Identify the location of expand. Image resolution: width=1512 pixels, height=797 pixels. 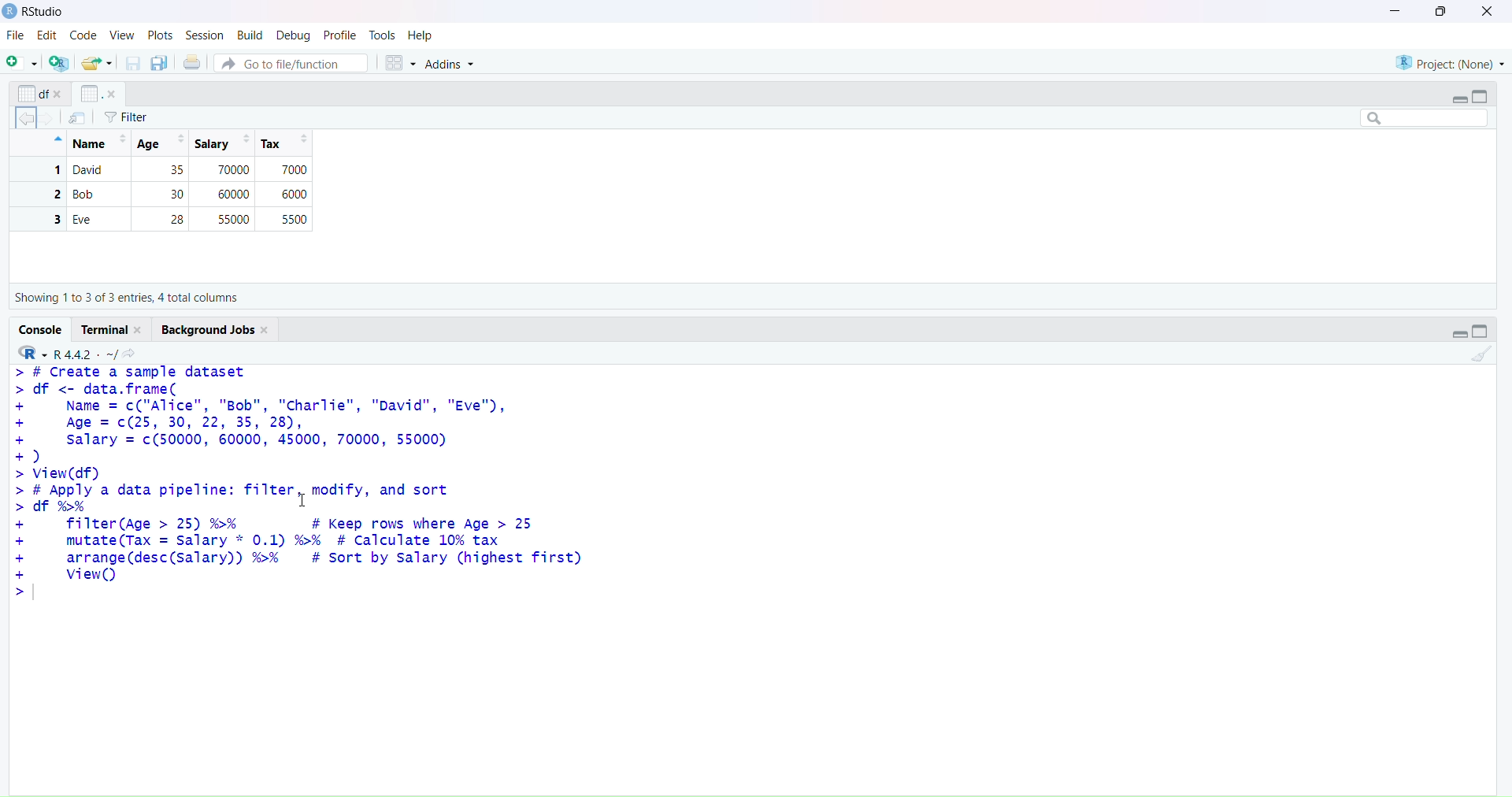
(1452, 98).